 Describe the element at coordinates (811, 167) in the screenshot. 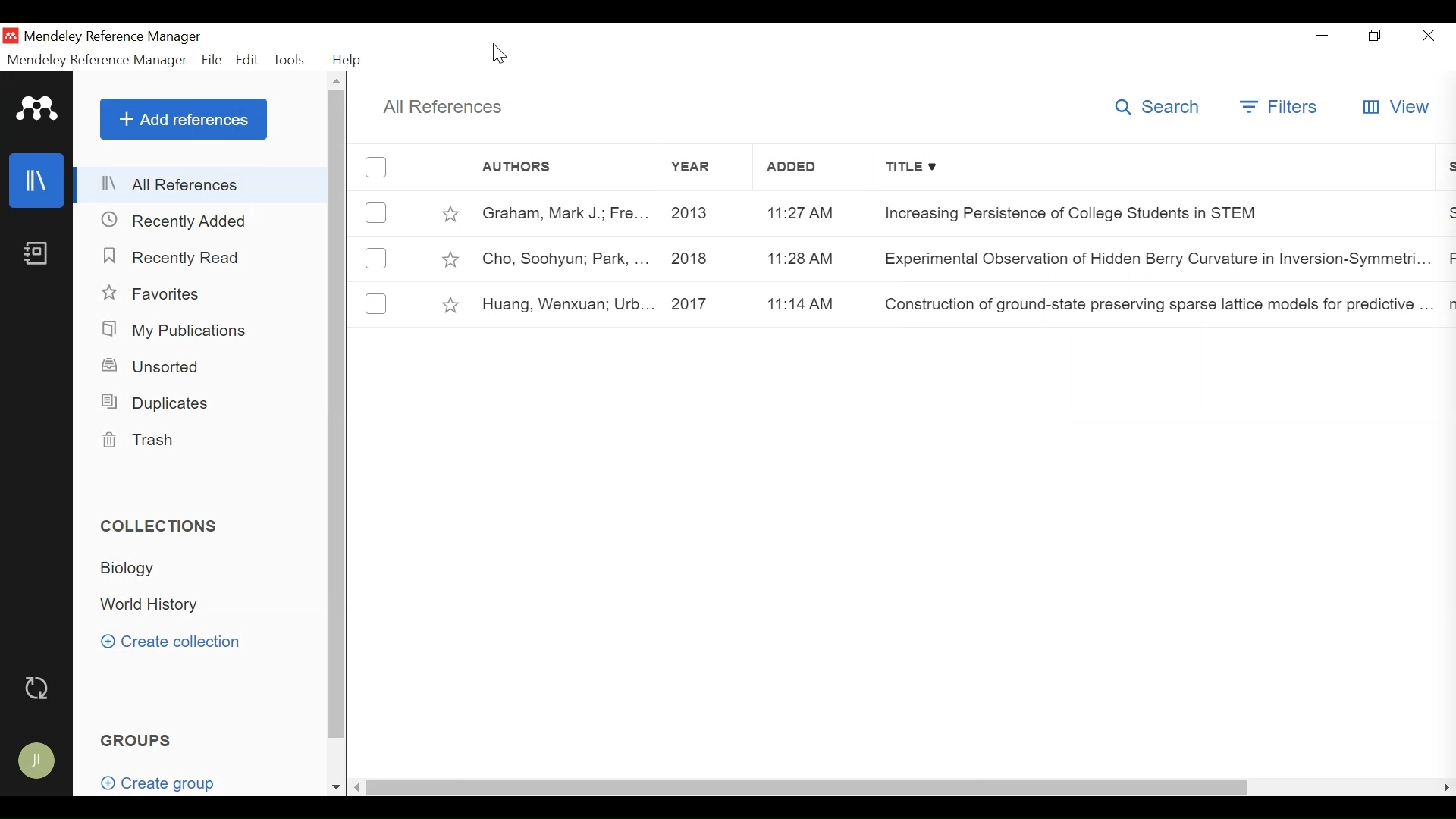

I see `Added` at that location.